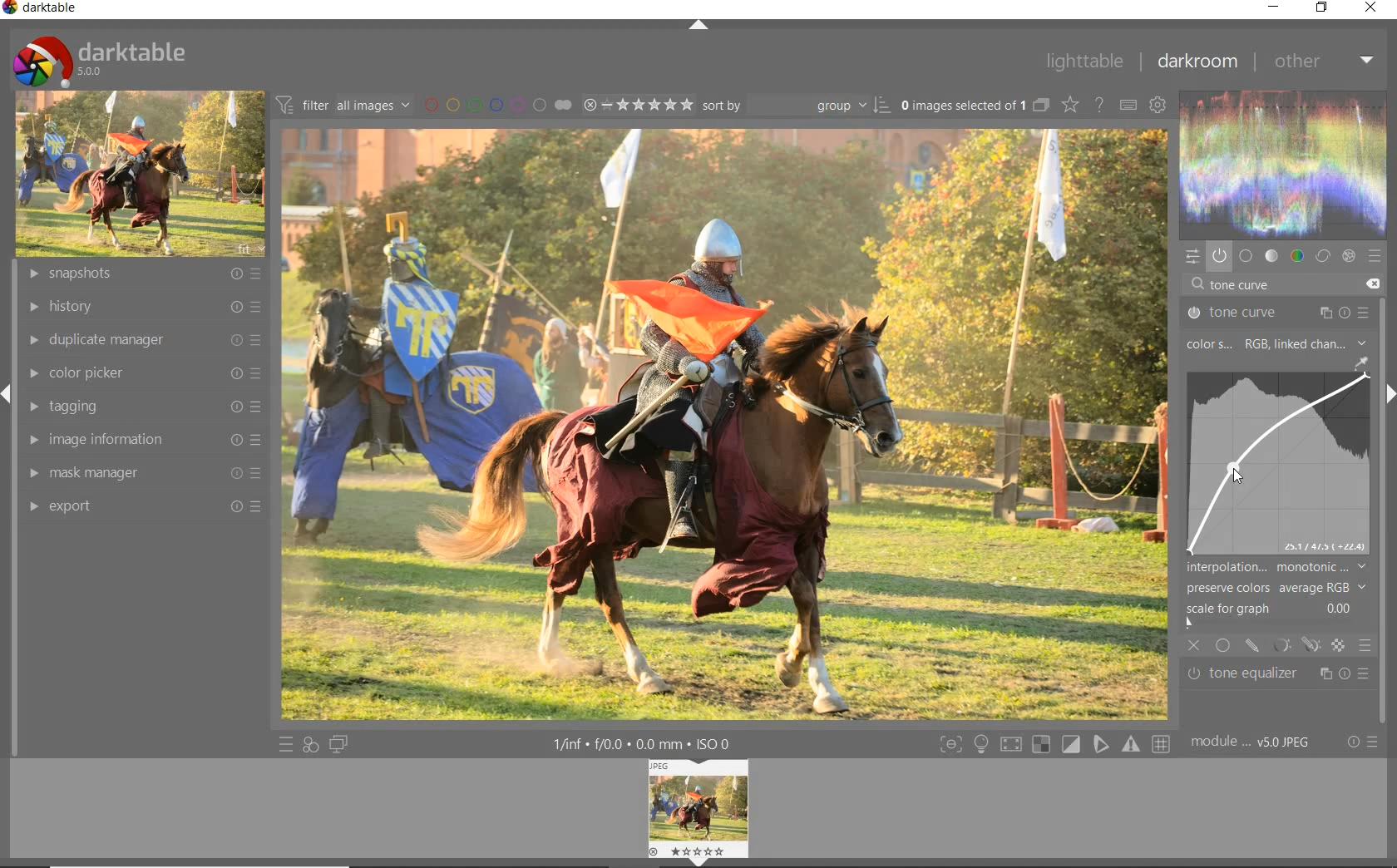 This screenshot has width=1397, height=868. Describe the element at coordinates (1278, 313) in the screenshot. I see `tone curve` at that location.